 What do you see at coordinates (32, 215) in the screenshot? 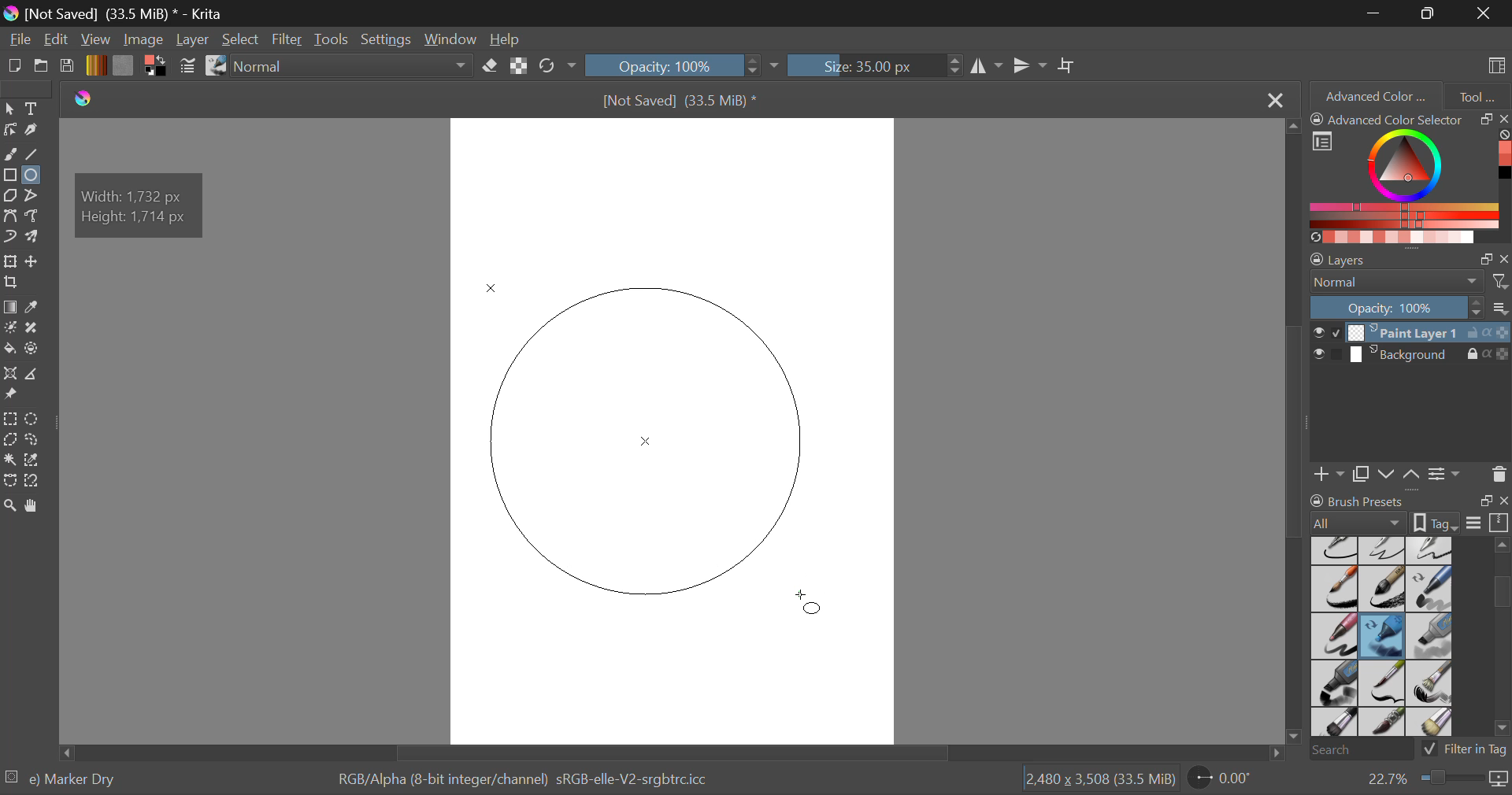
I see `Freehand Path Tool` at bounding box center [32, 215].